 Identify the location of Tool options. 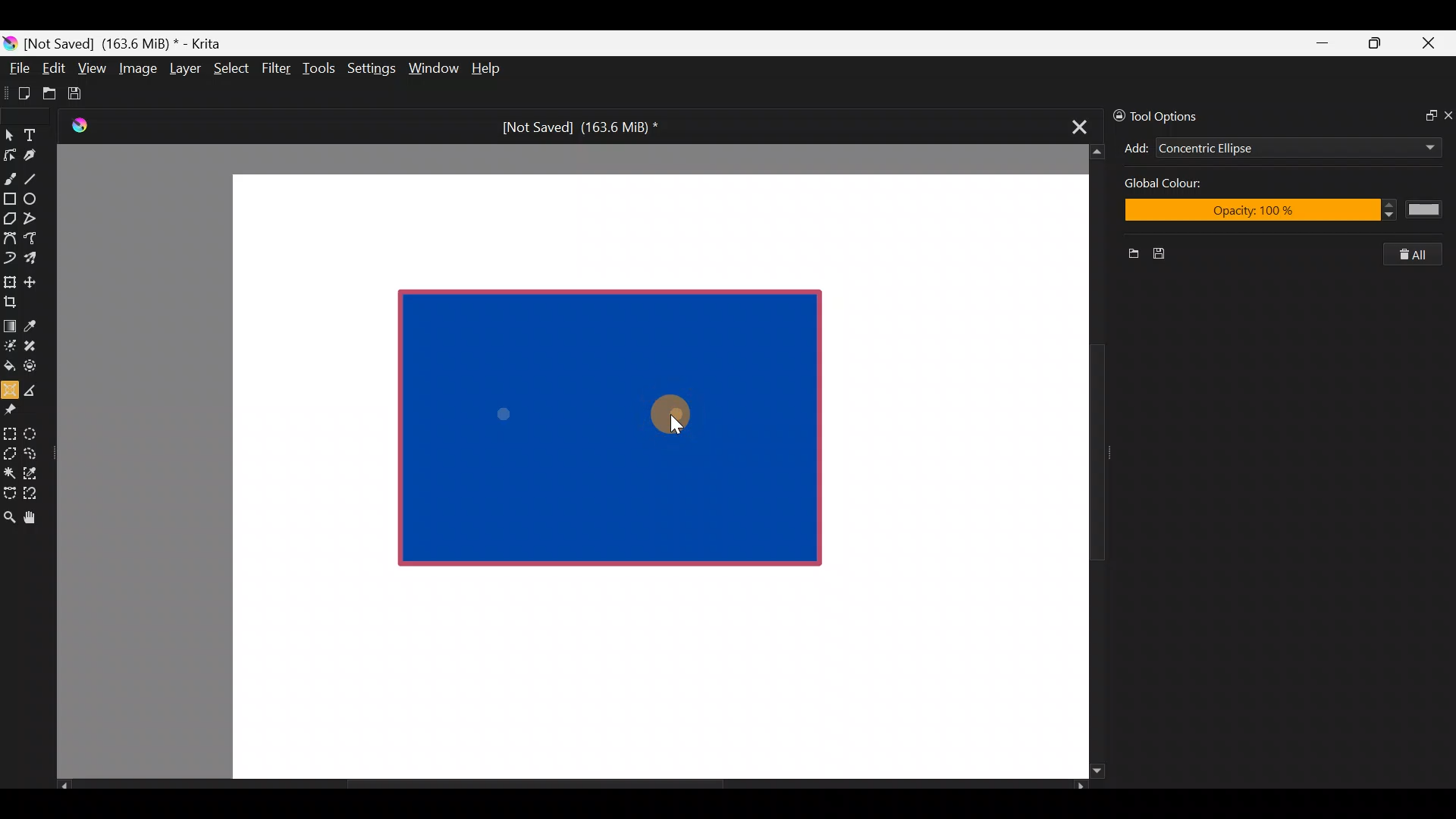
(1178, 116).